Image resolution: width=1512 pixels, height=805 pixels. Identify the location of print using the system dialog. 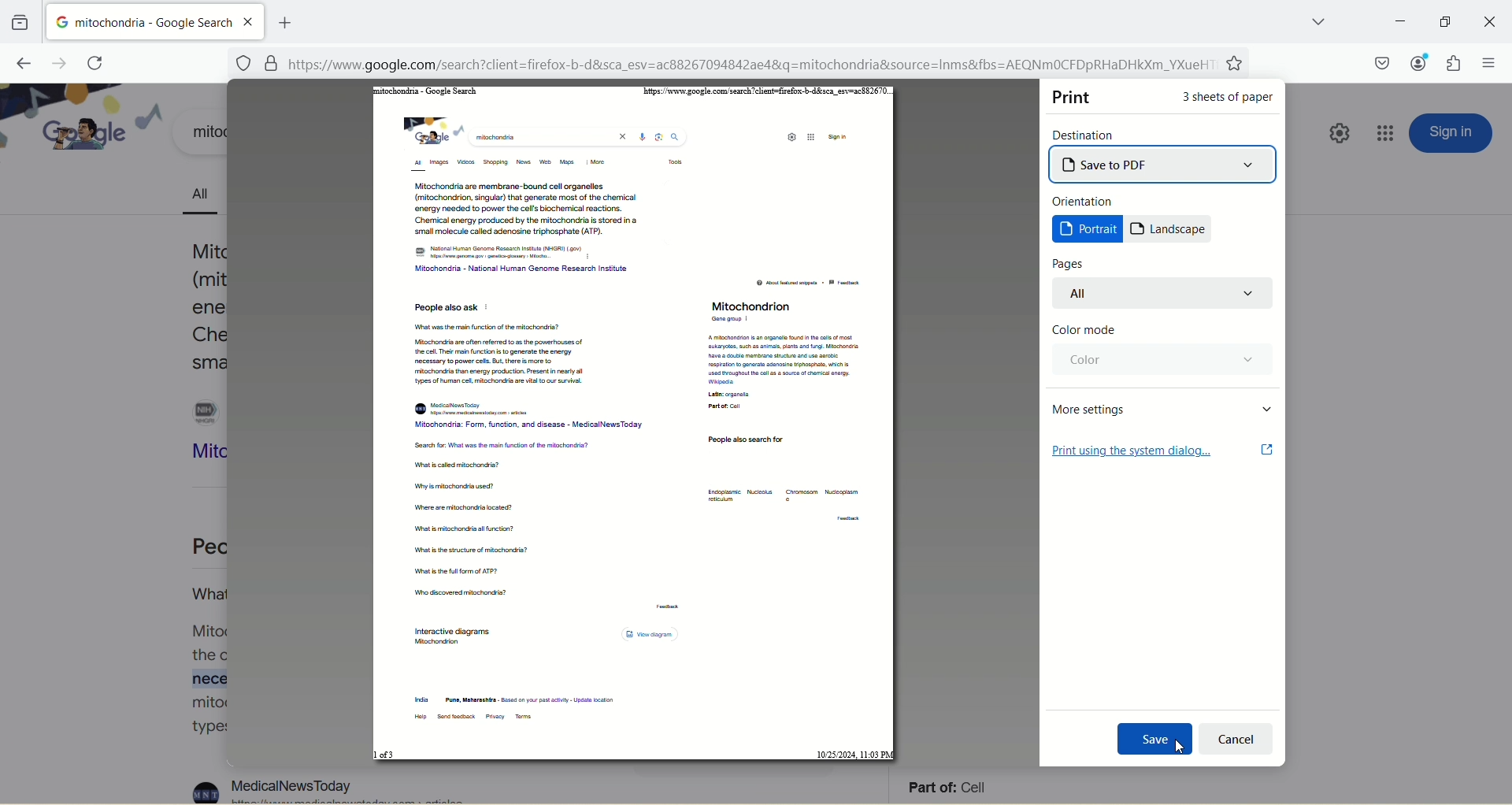
(1163, 451).